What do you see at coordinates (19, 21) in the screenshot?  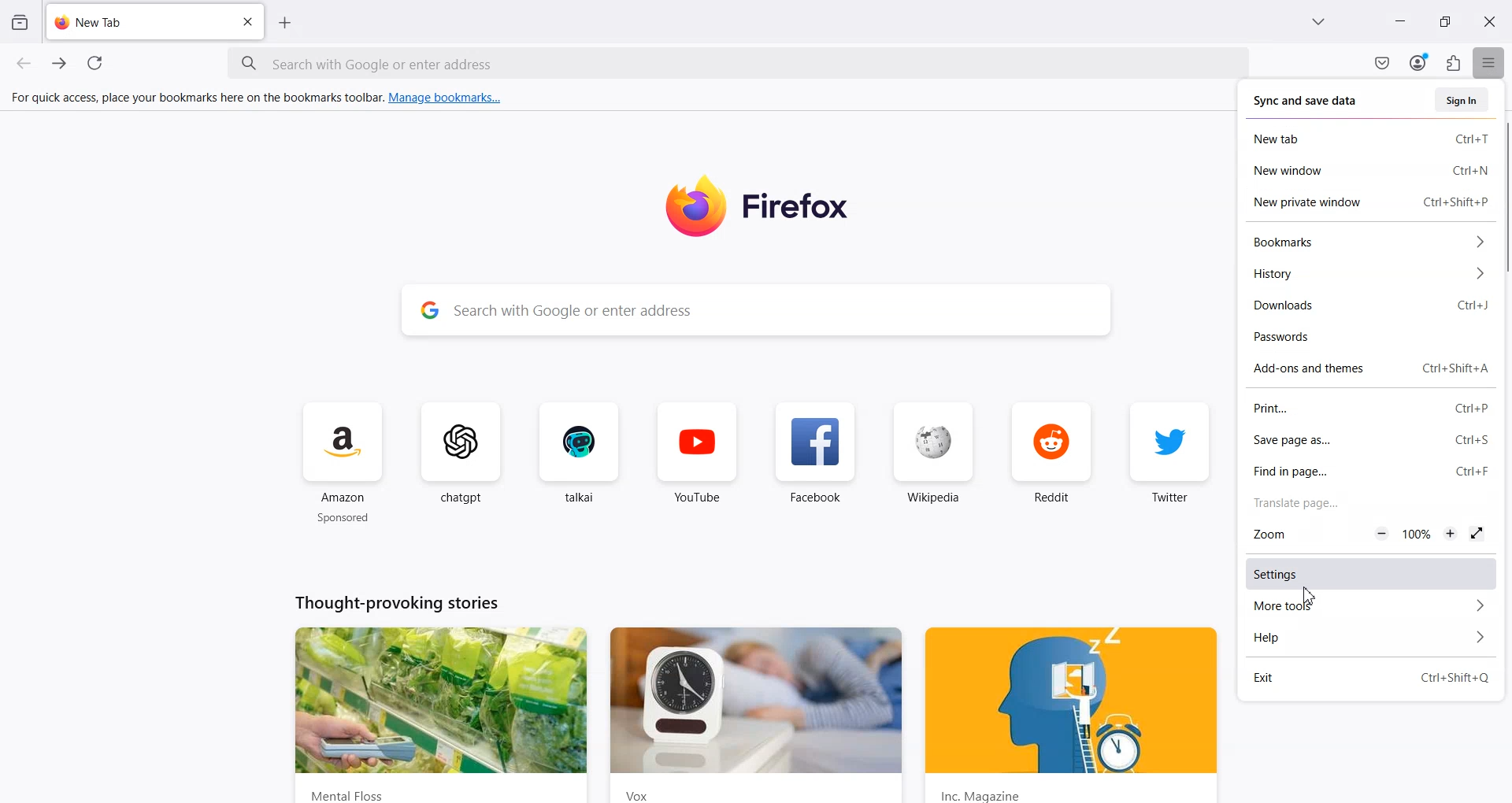 I see `View recent browsing across window` at bounding box center [19, 21].